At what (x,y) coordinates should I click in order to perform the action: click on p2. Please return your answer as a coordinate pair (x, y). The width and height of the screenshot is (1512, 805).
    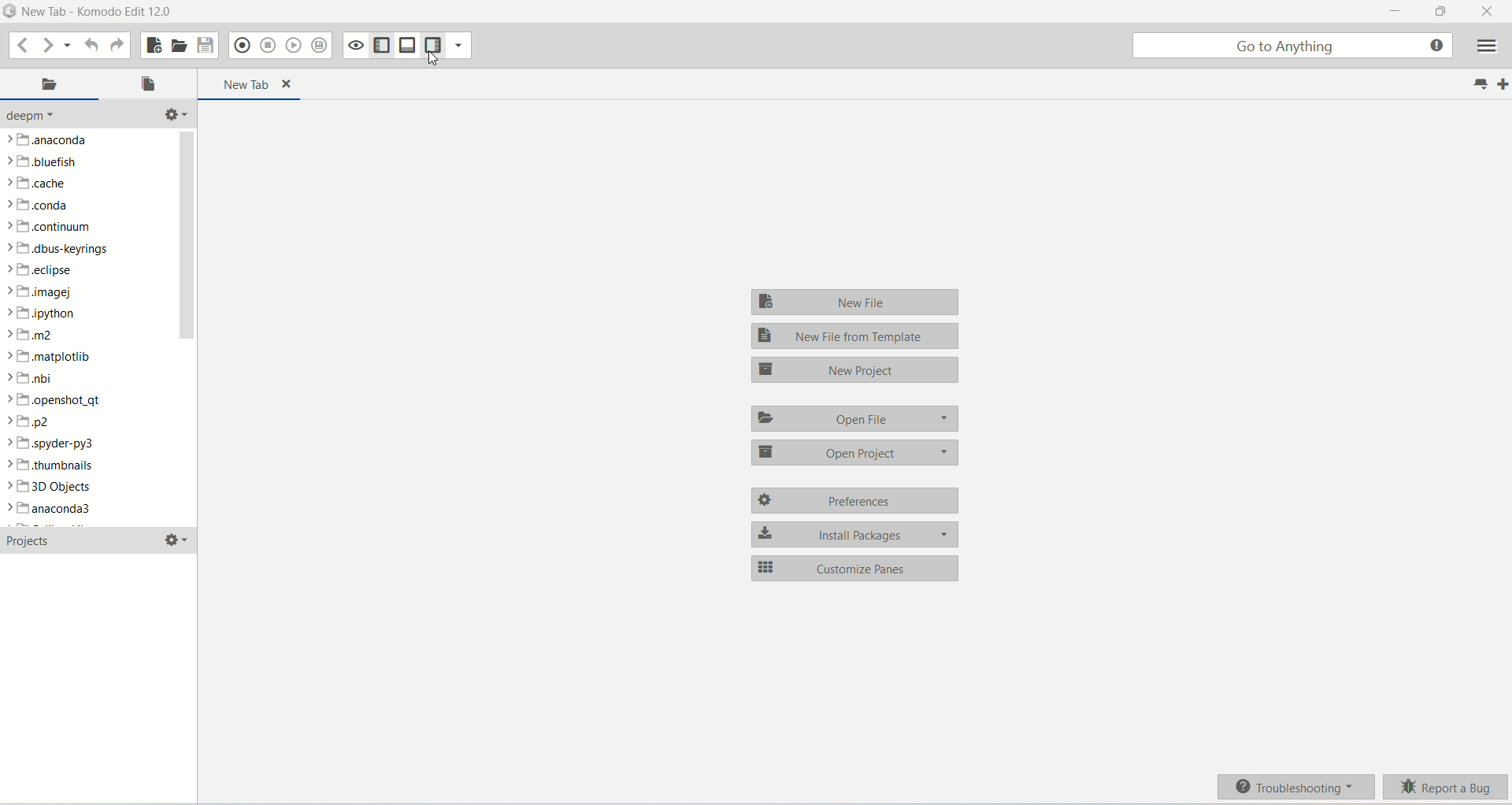
    Looking at the image, I should click on (31, 421).